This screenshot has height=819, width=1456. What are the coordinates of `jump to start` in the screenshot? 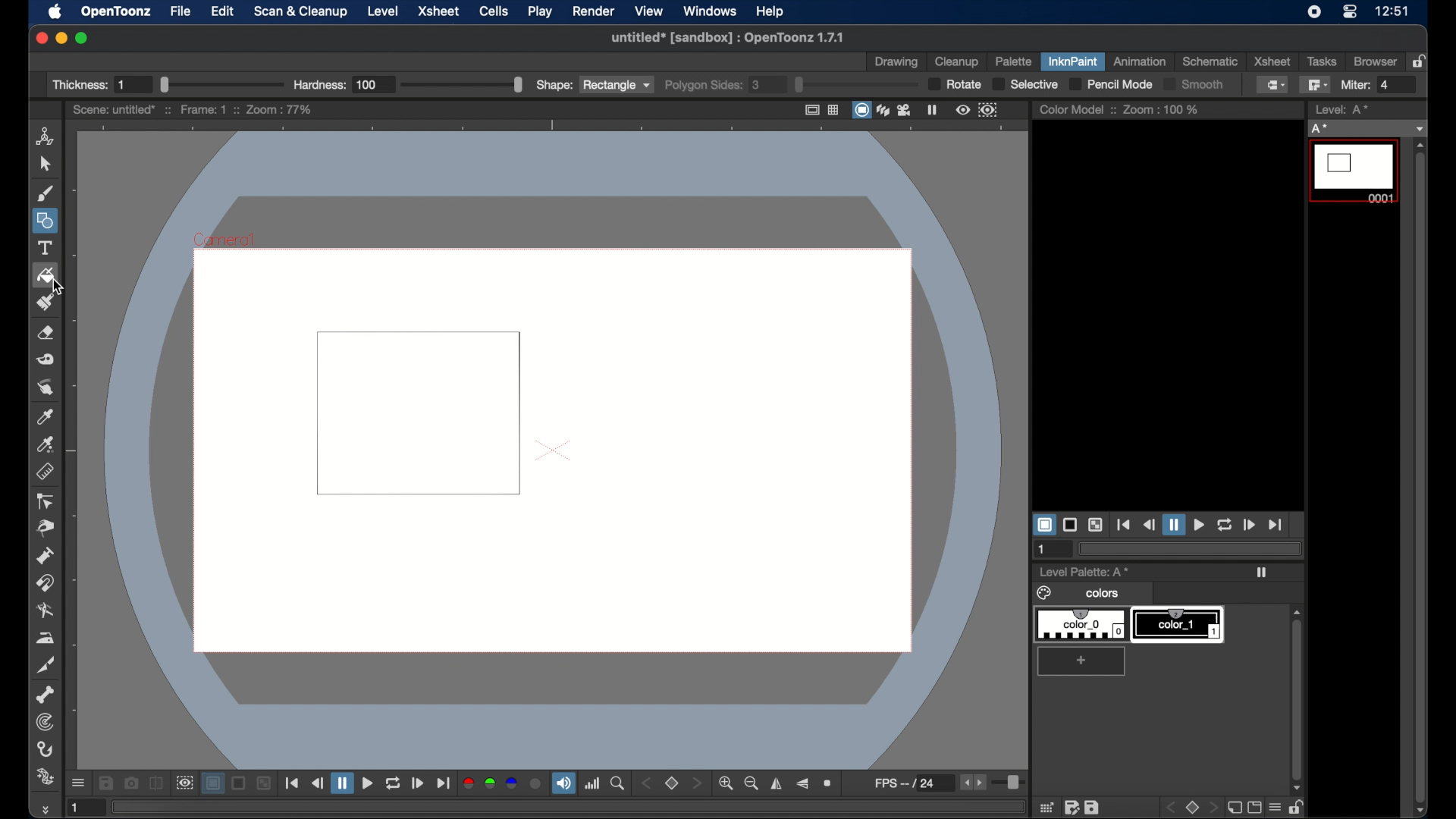 It's located at (292, 783).